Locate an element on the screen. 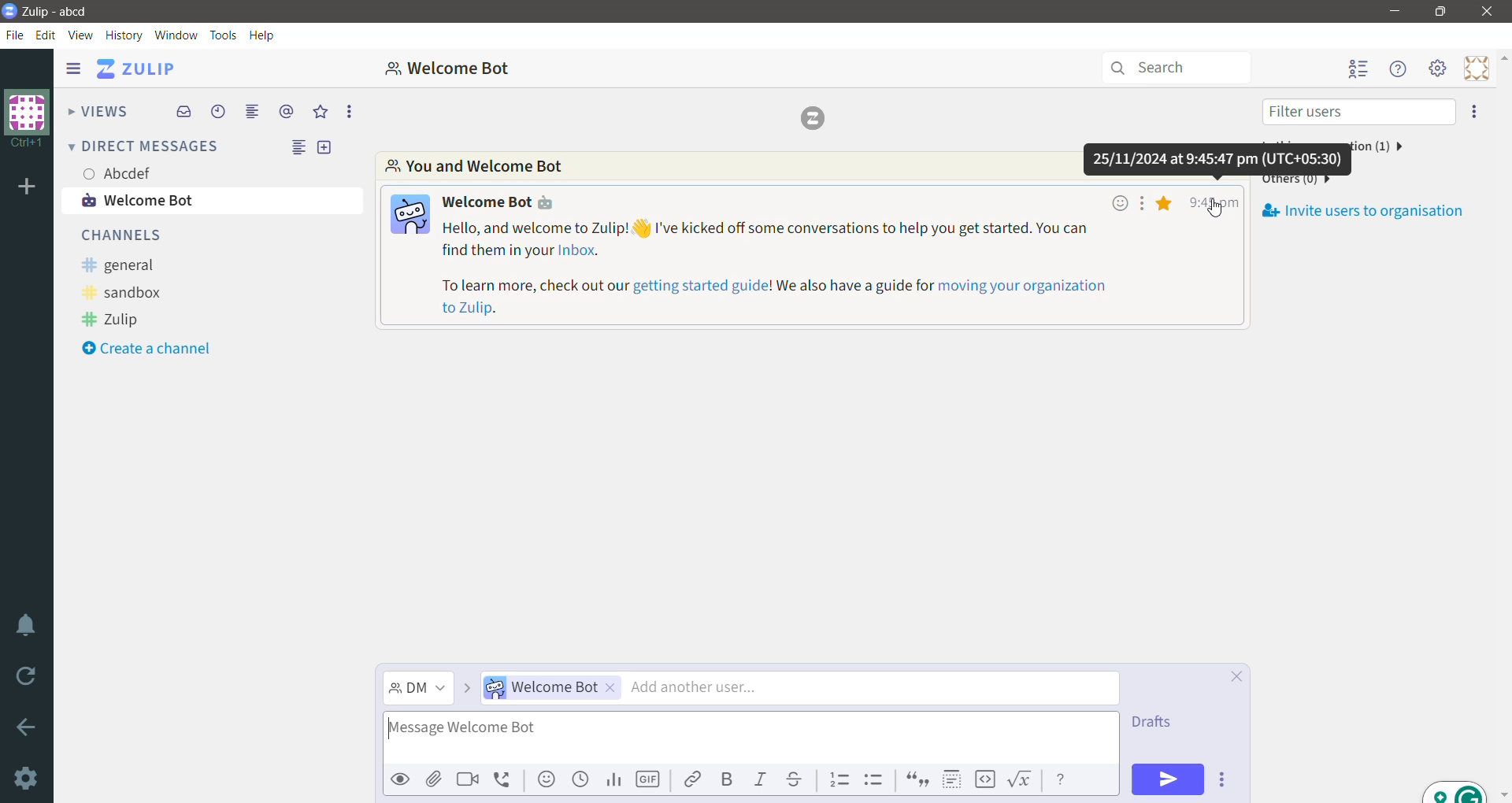 This screenshot has height=803, width=1512. Italic is located at coordinates (762, 779).